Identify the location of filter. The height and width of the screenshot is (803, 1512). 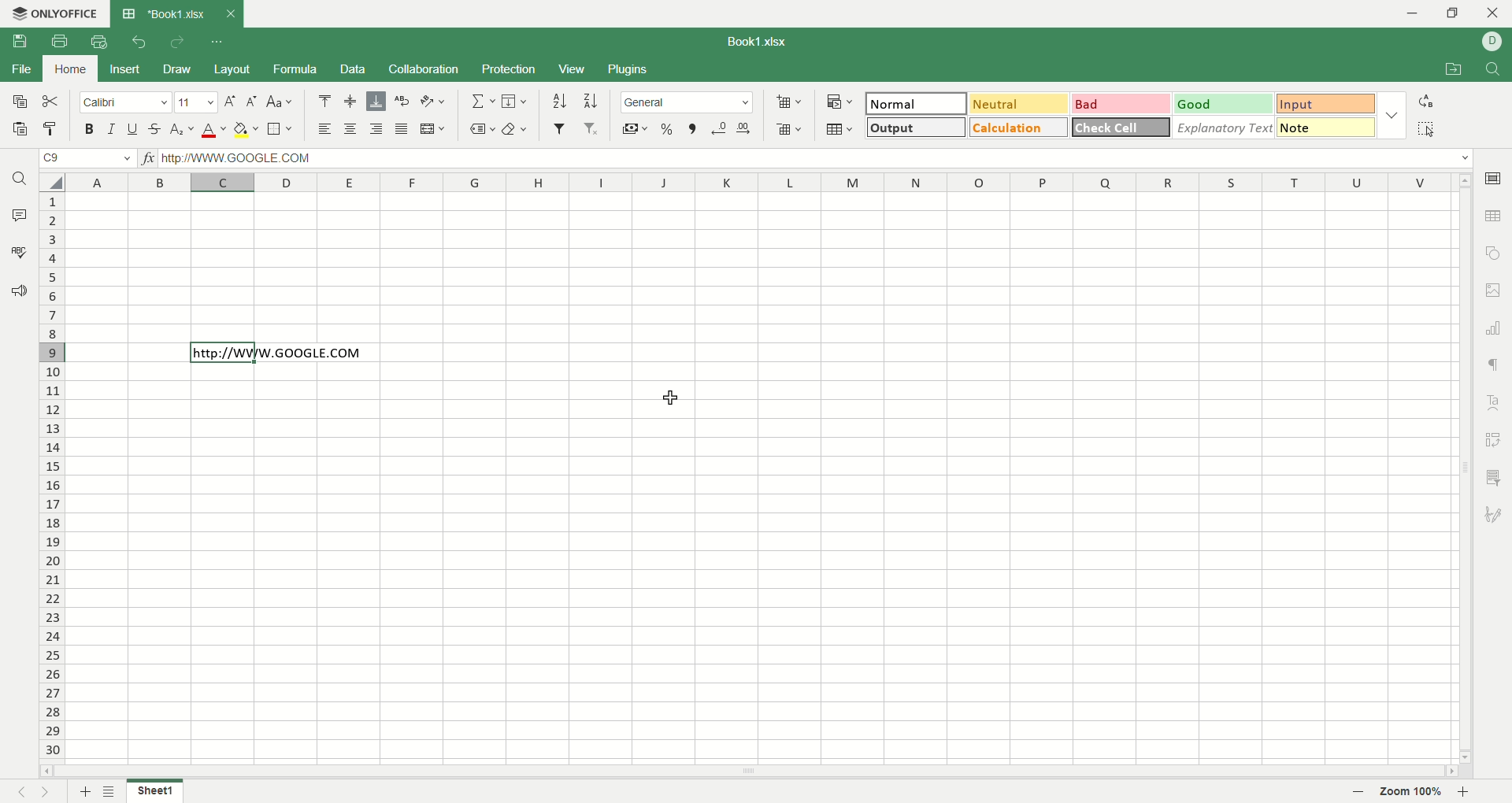
(559, 128).